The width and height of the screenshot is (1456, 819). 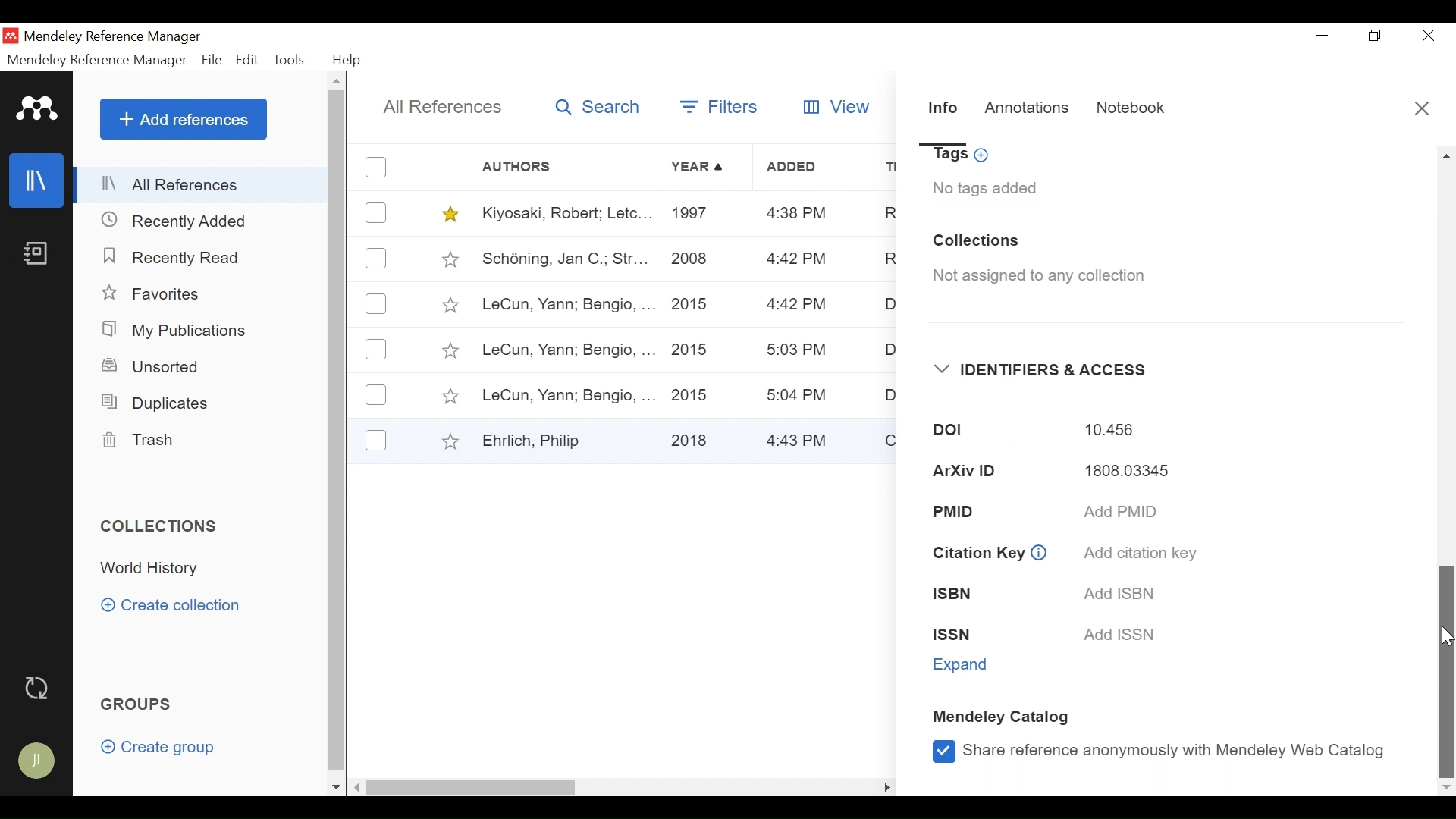 I want to click on (un)Select, so click(x=376, y=259).